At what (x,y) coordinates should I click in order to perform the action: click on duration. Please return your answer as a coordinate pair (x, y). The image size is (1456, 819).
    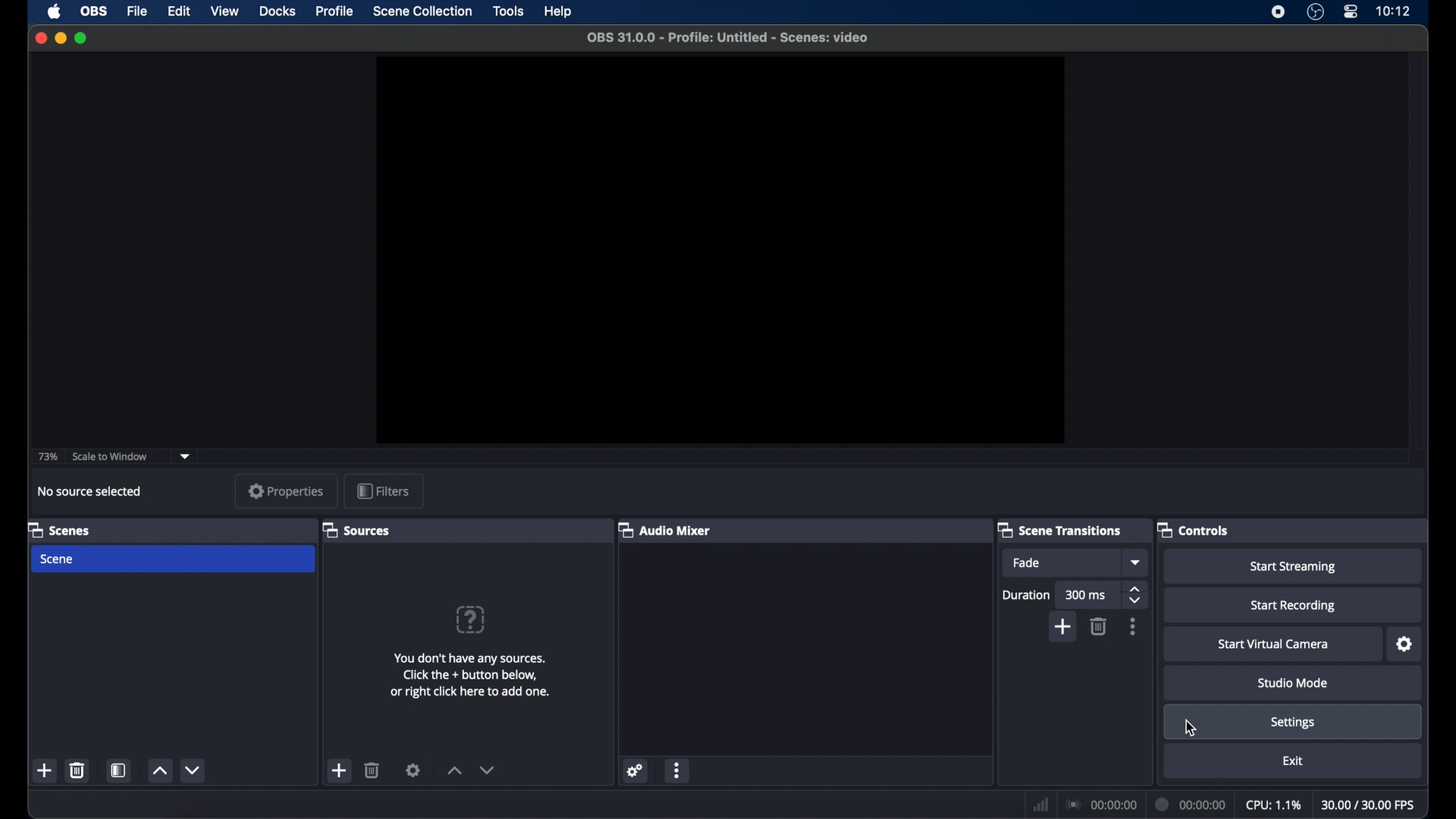
    Looking at the image, I should click on (1191, 803).